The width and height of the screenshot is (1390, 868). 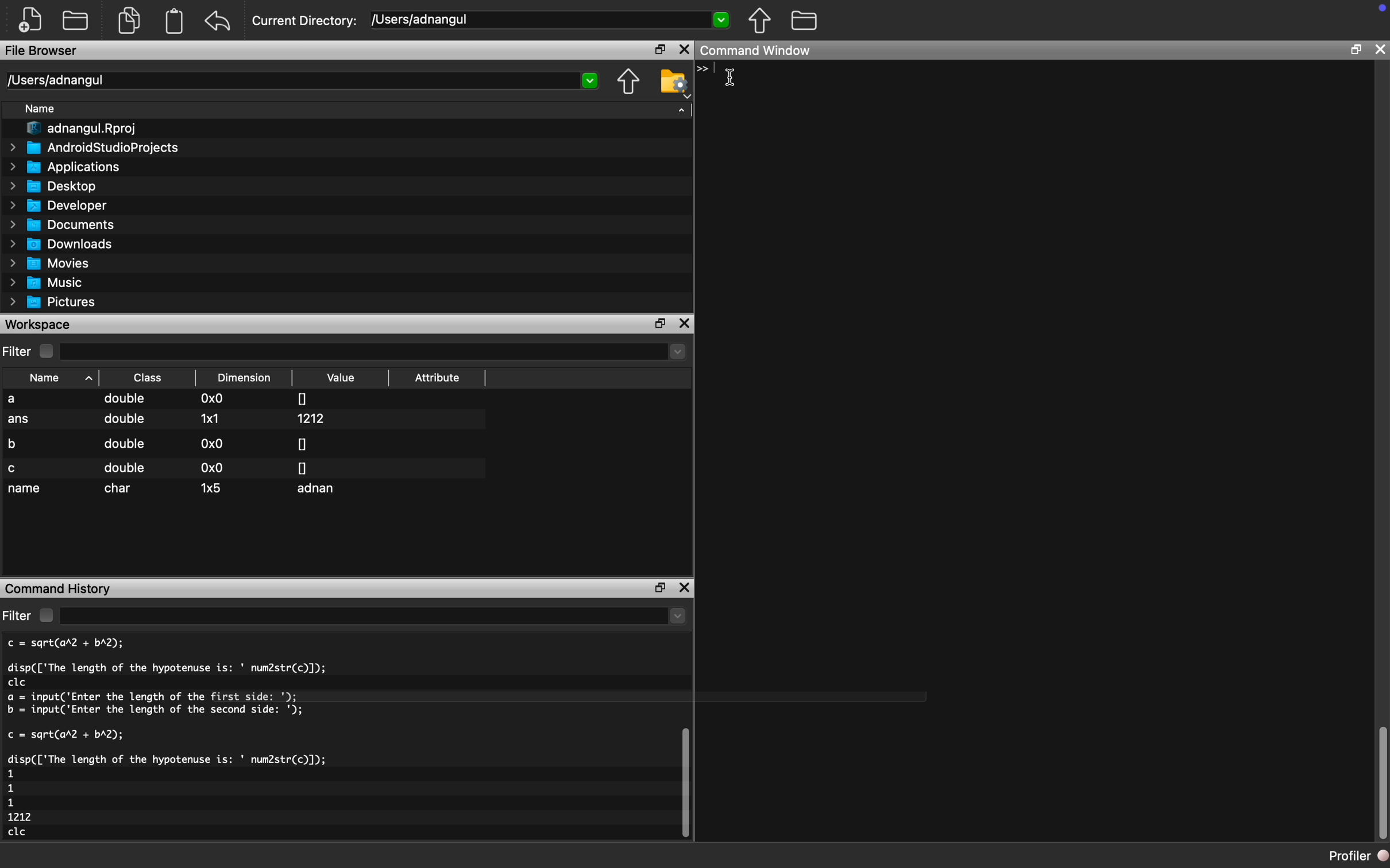 I want to click on restore down, so click(x=655, y=51).